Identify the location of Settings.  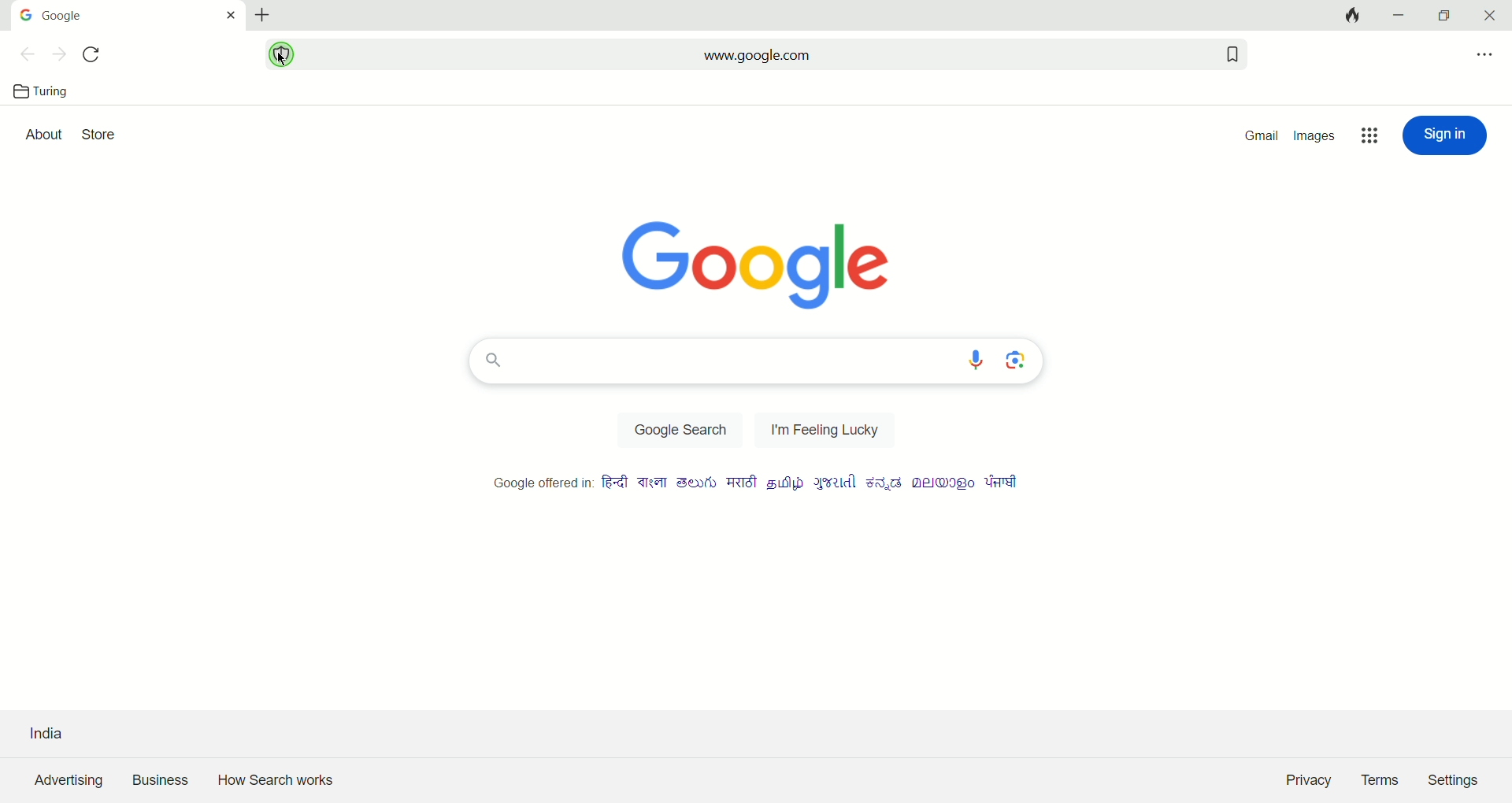
(1458, 778).